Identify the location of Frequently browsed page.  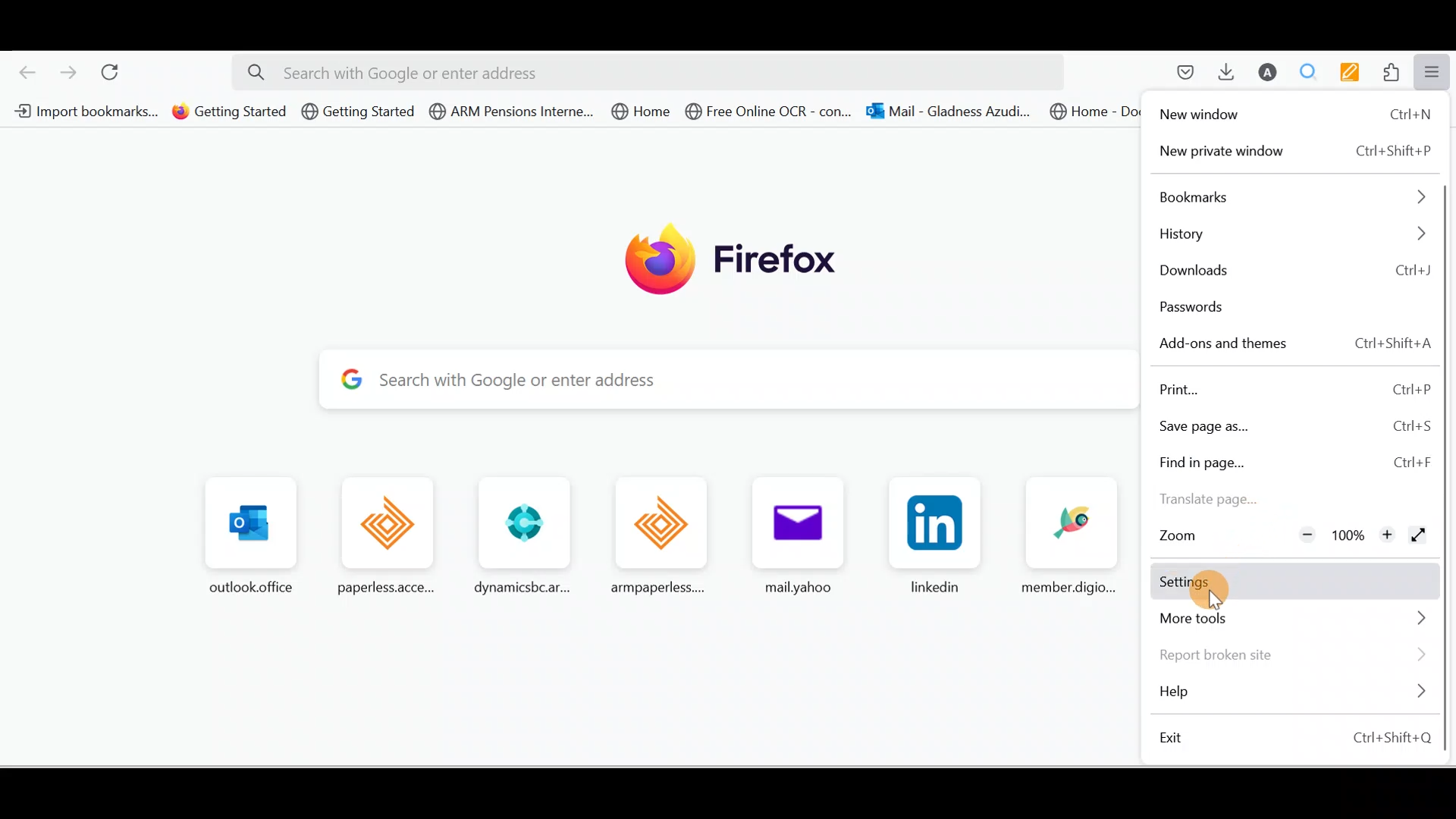
(253, 530).